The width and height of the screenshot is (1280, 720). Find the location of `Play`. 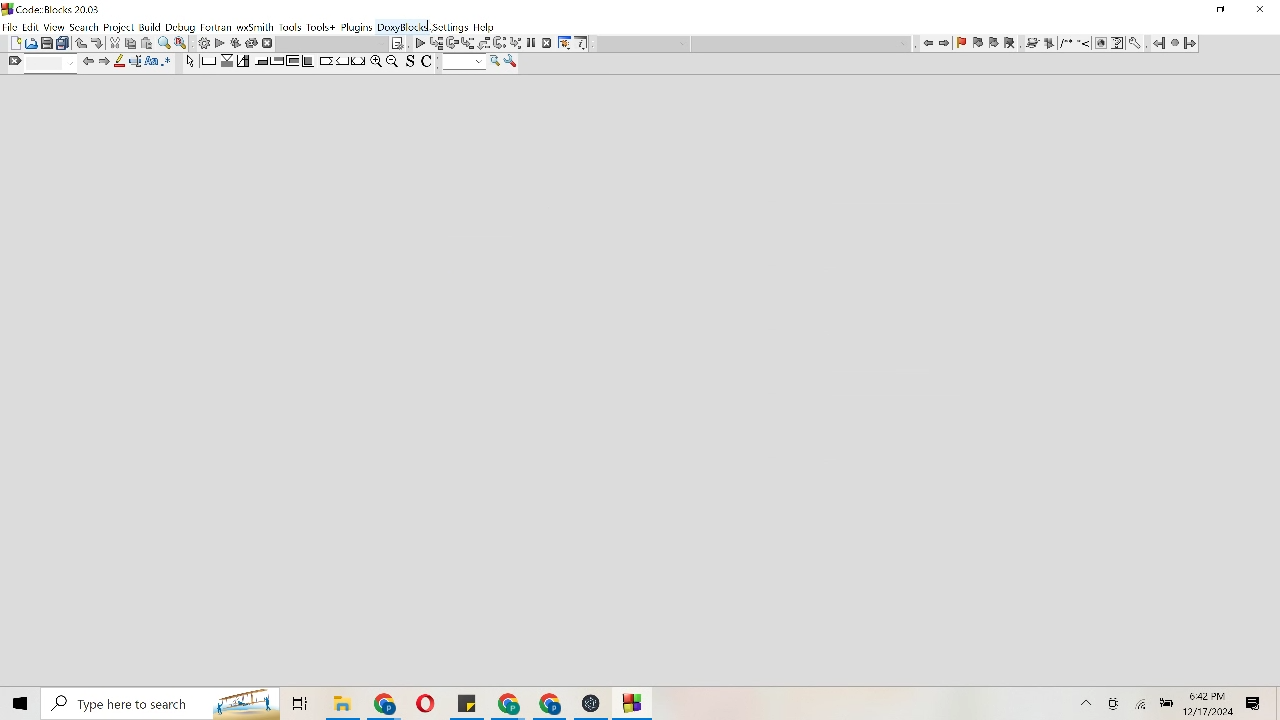

Play is located at coordinates (421, 43).